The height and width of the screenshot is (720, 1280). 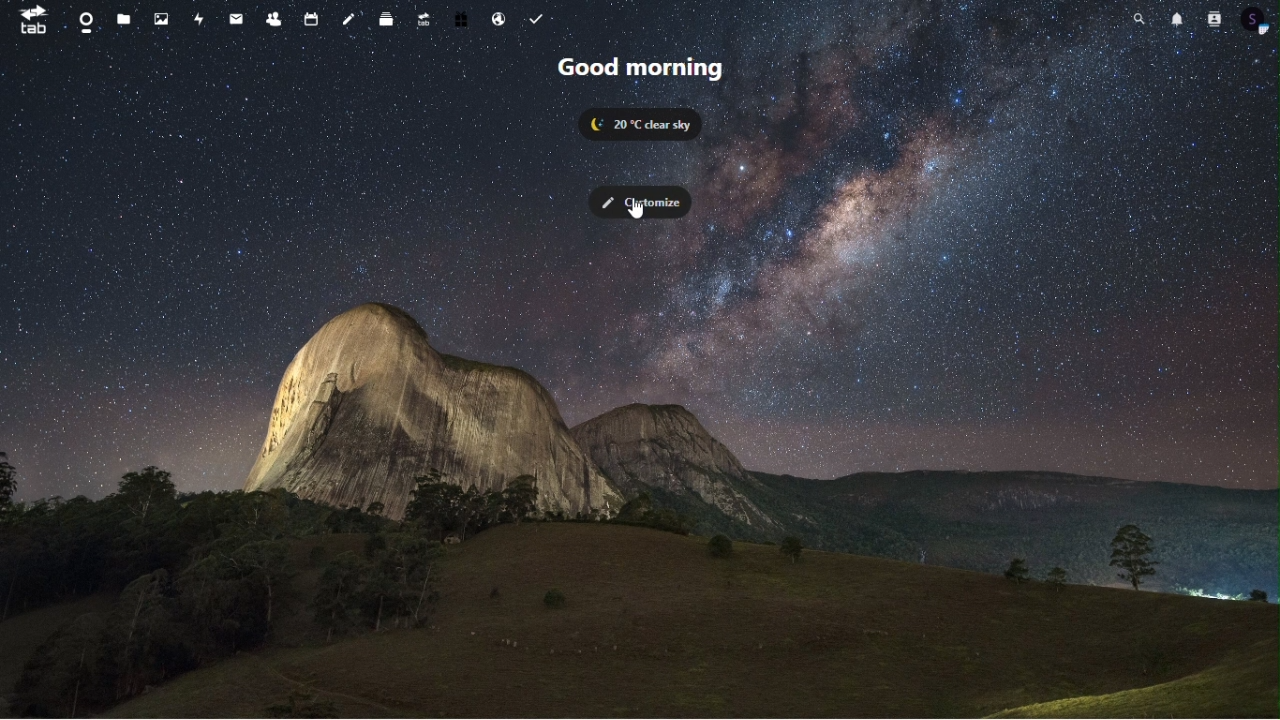 I want to click on image, so click(x=160, y=19).